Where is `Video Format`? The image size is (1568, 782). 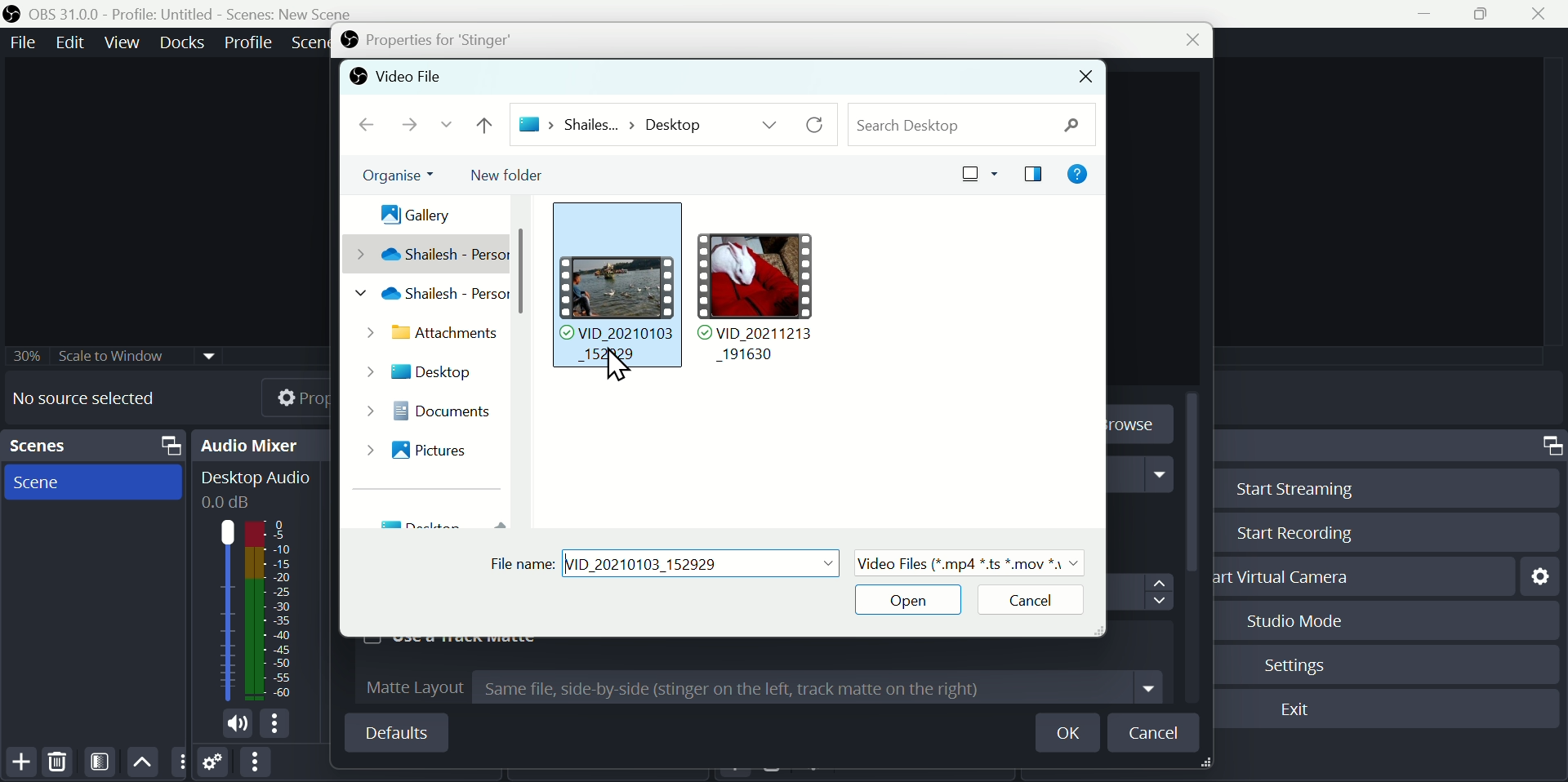 Video Format is located at coordinates (969, 562).